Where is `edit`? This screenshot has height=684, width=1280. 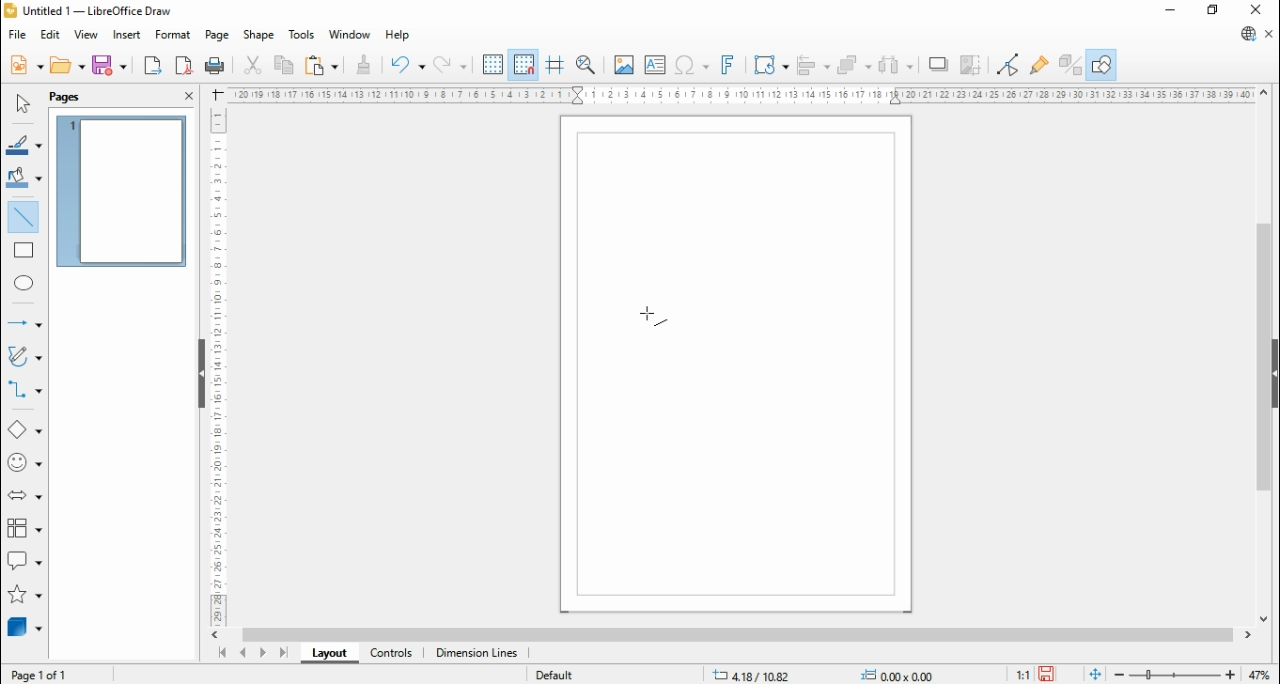 edit is located at coordinates (50, 36).